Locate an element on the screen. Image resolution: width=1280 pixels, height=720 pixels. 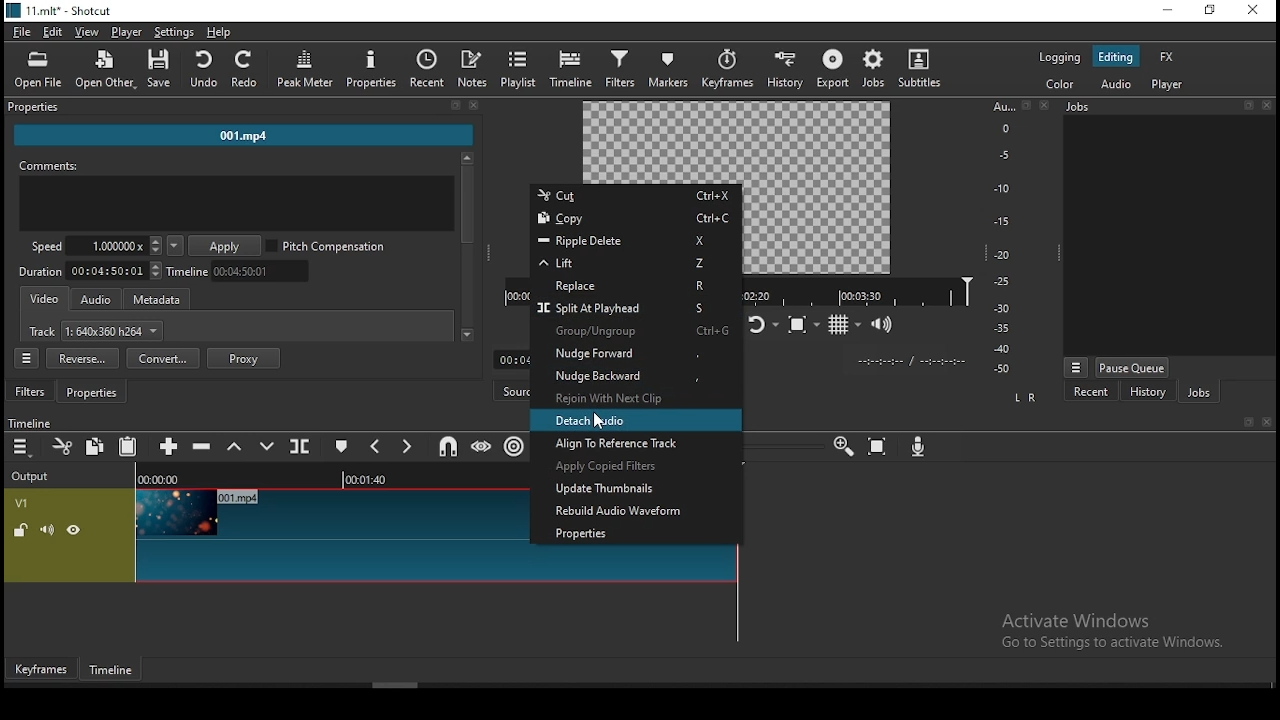
settings is located at coordinates (174, 33).